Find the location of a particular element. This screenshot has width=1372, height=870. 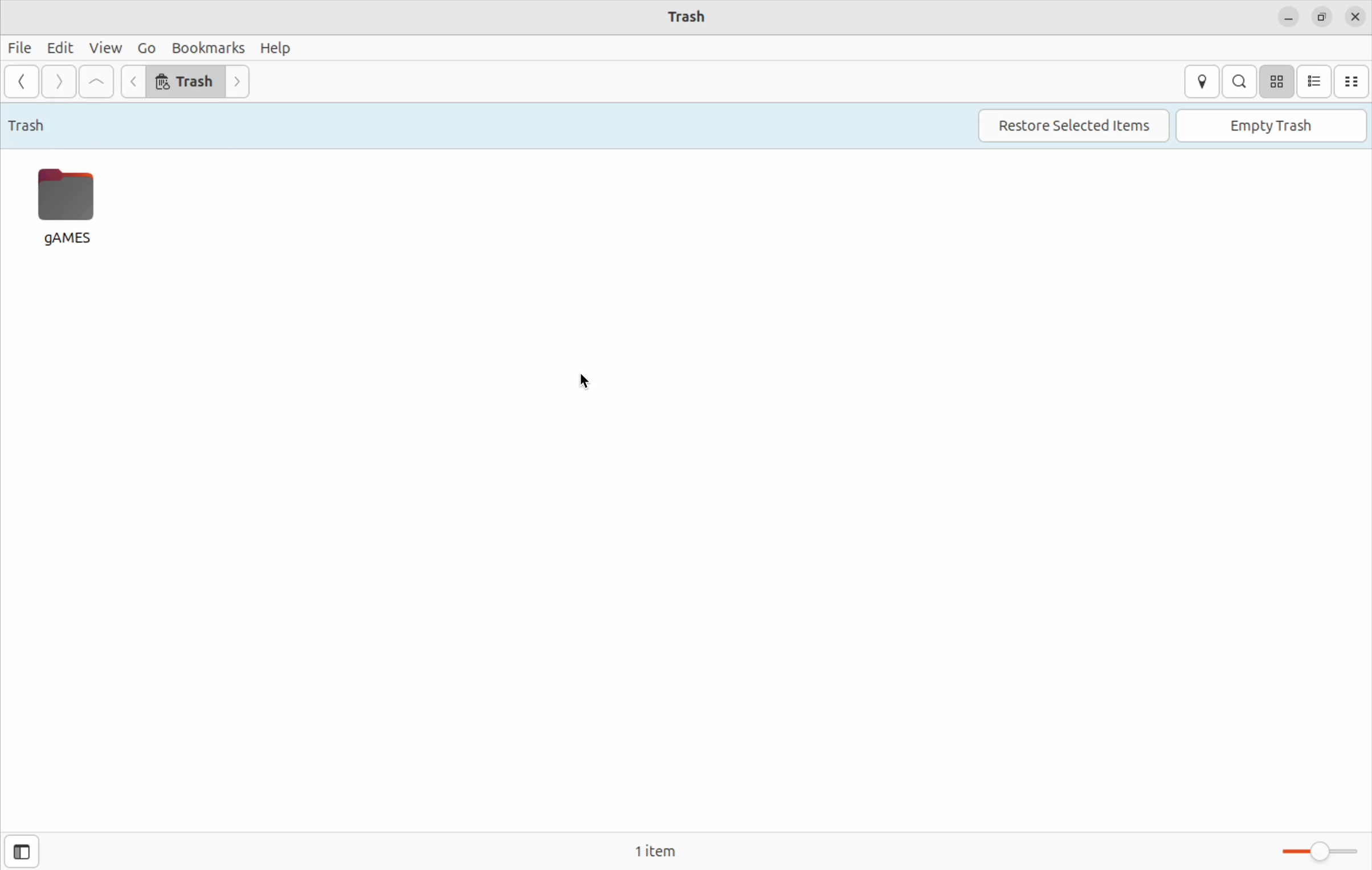

Go to firstfile is located at coordinates (98, 81).